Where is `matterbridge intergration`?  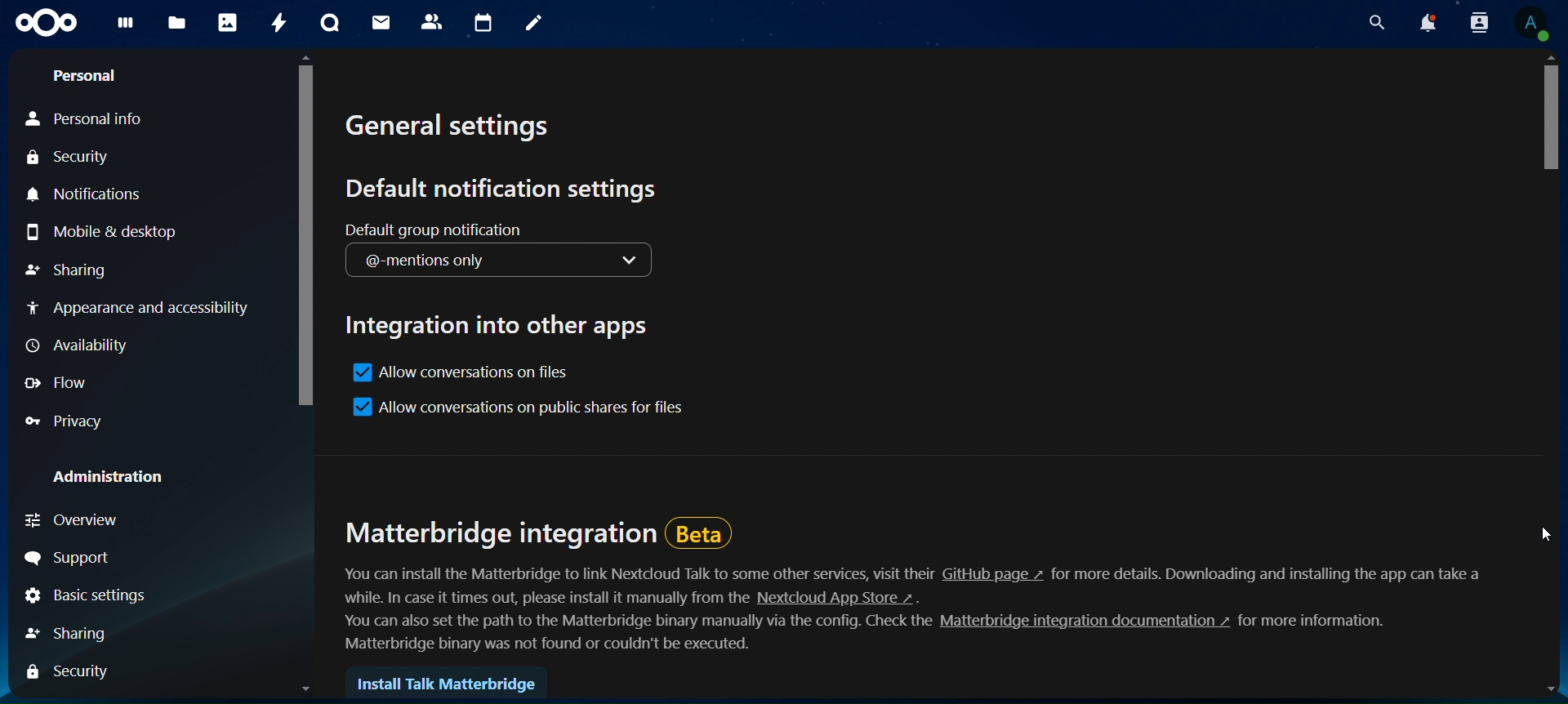 matterbridge intergration is located at coordinates (912, 583).